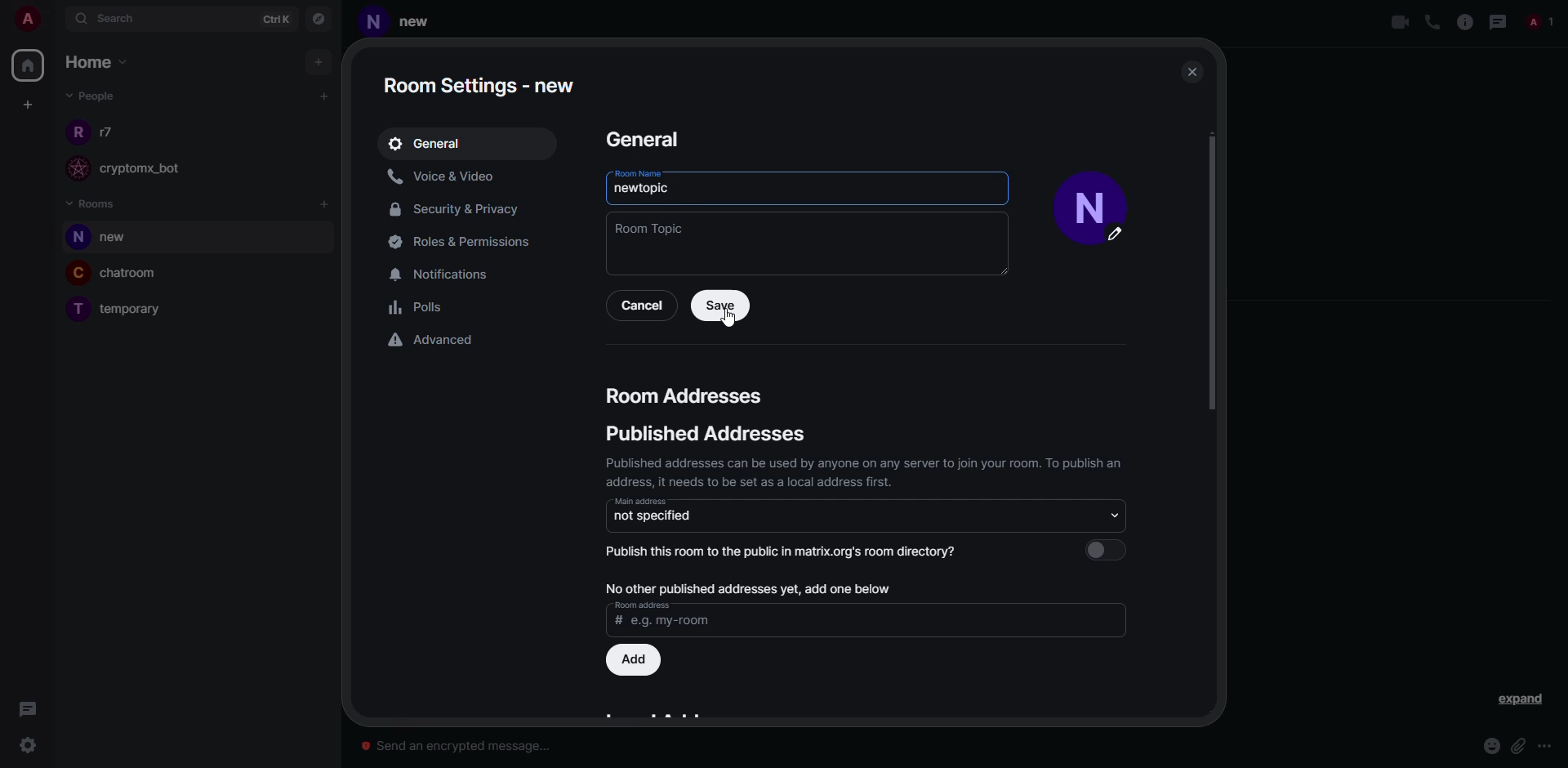 Image resolution: width=1568 pixels, height=768 pixels. What do you see at coordinates (33, 21) in the screenshot?
I see `account` at bounding box center [33, 21].